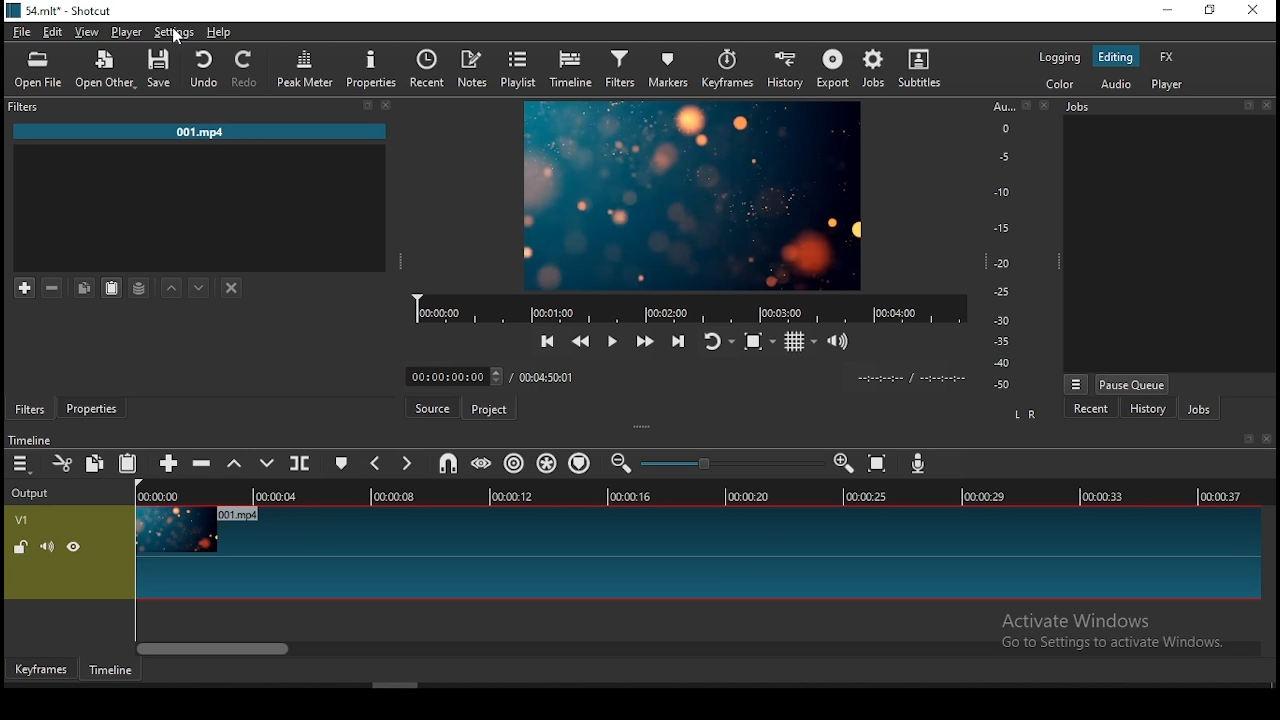  I want to click on -30, so click(1005, 320).